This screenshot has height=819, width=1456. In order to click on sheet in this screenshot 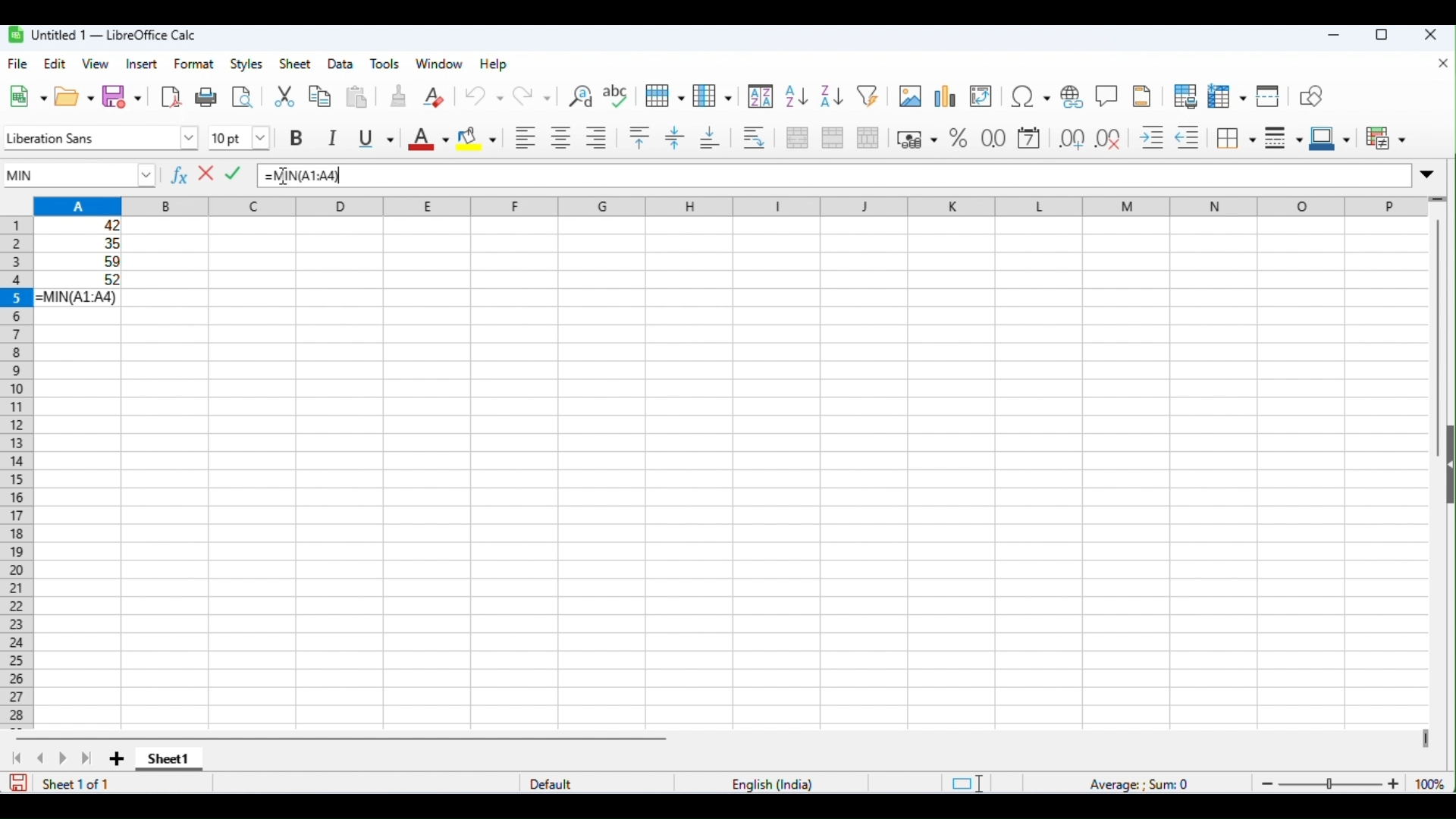, I will do `click(294, 64)`.